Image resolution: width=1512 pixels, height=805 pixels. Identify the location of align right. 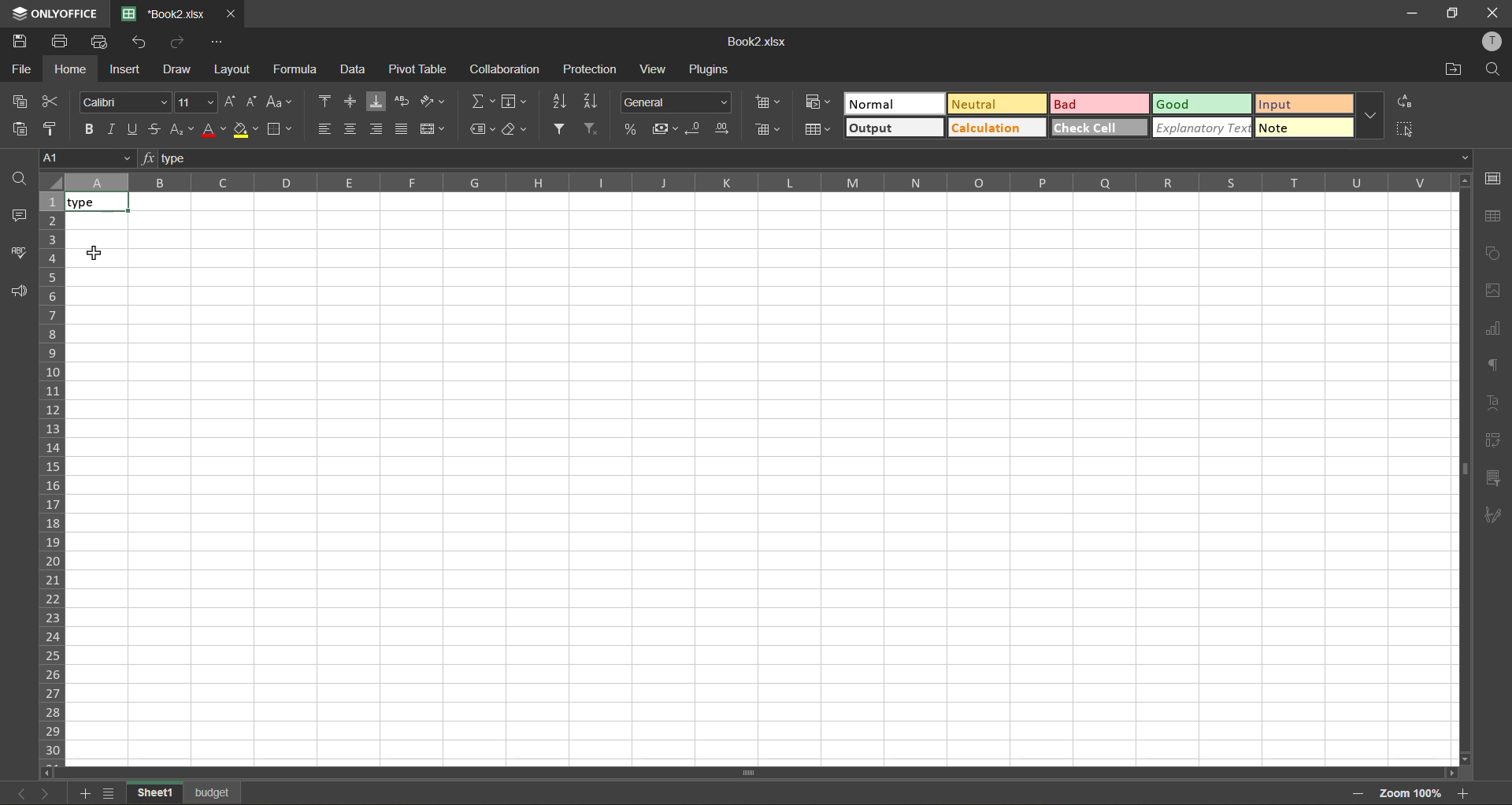
(378, 131).